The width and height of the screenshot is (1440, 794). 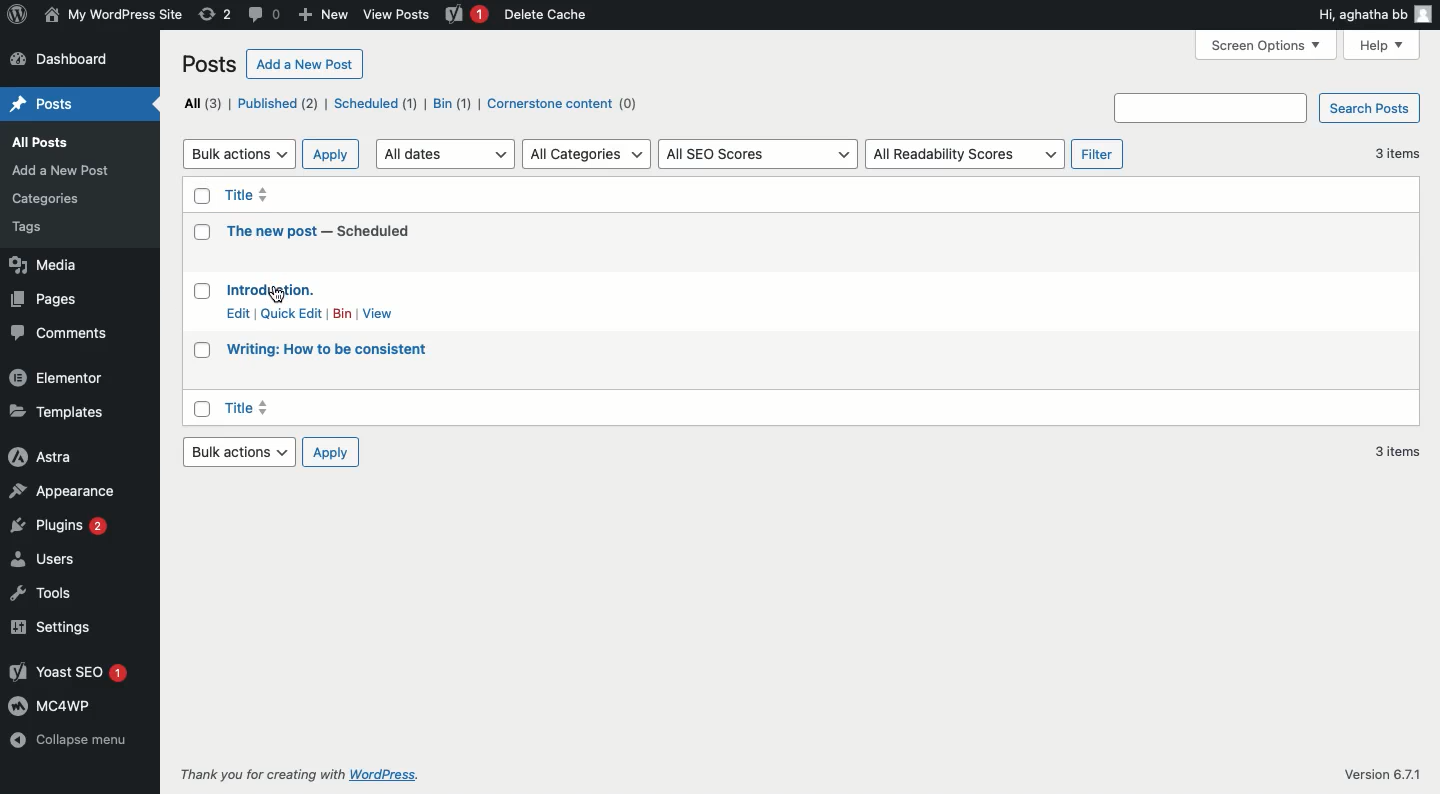 What do you see at coordinates (201, 409) in the screenshot?
I see `checkbox` at bounding box center [201, 409].